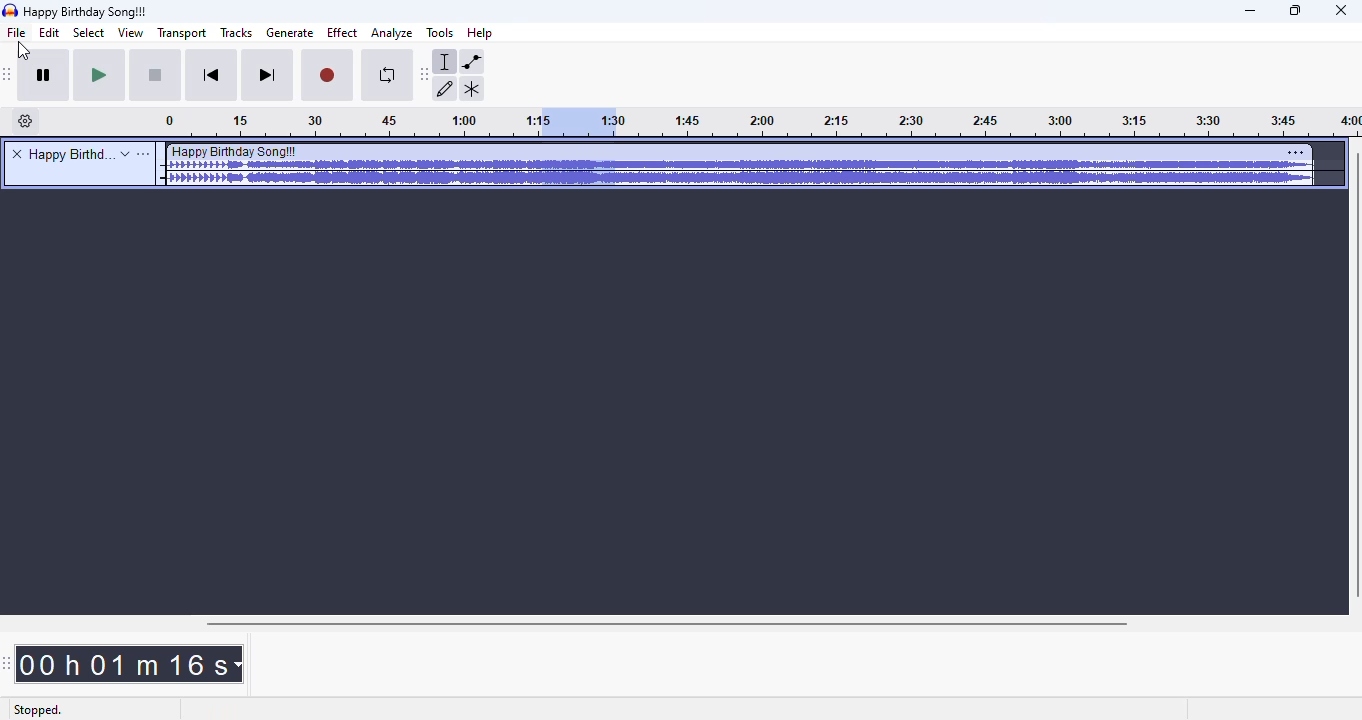  I want to click on timeline, so click(989, 124).